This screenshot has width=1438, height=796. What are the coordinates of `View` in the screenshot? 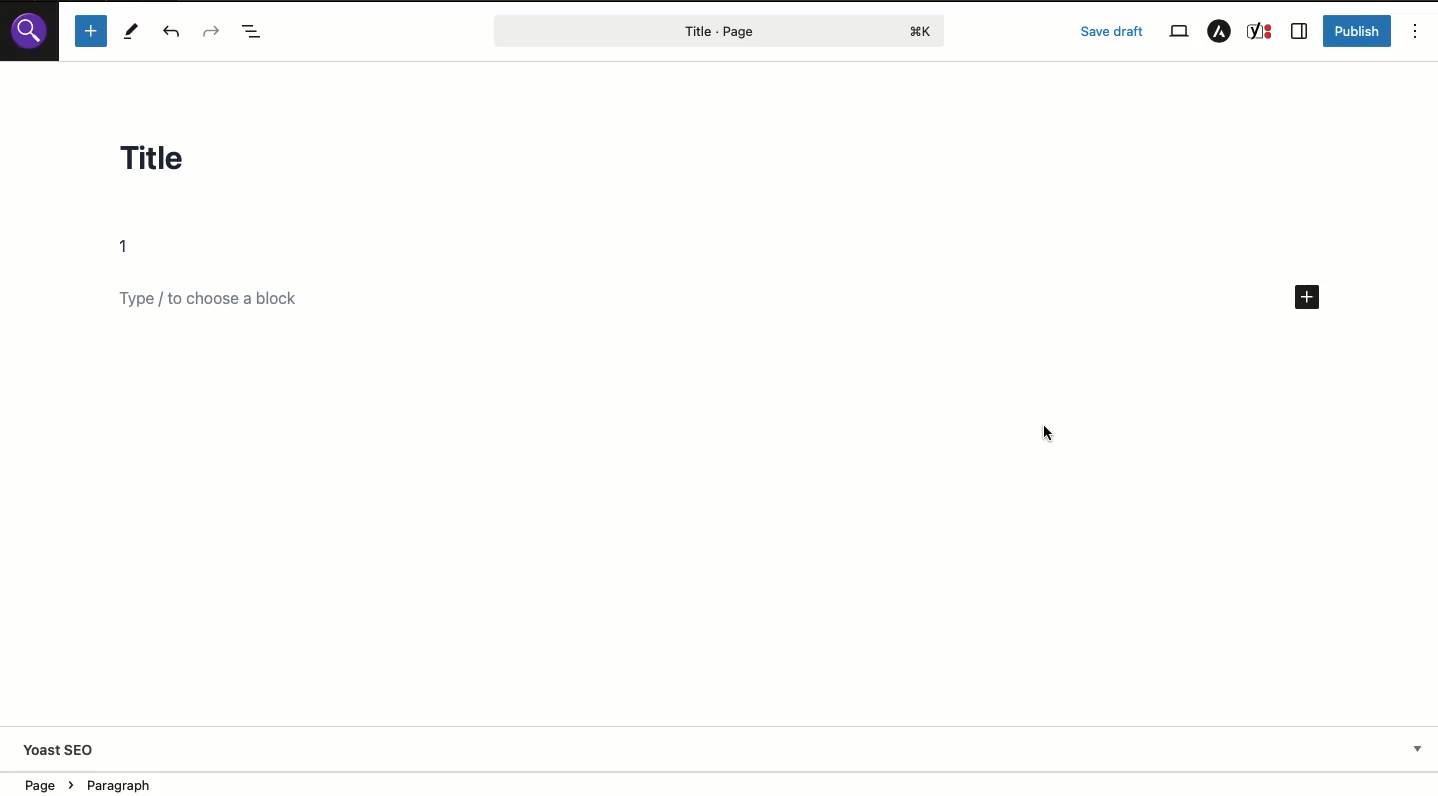 It's located at (1178, 32).